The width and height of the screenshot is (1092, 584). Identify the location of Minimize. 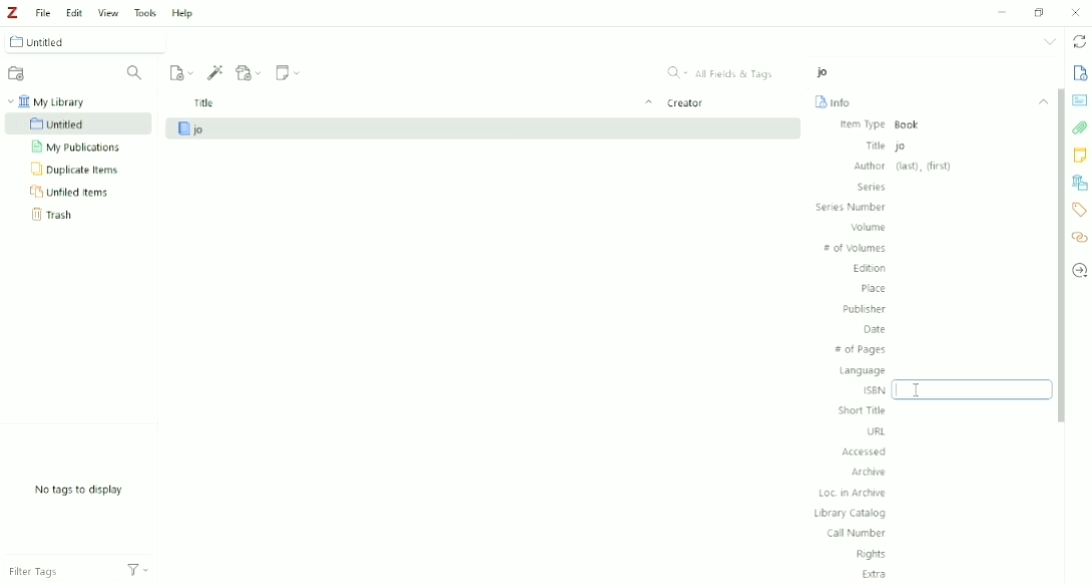
(1001, 12).